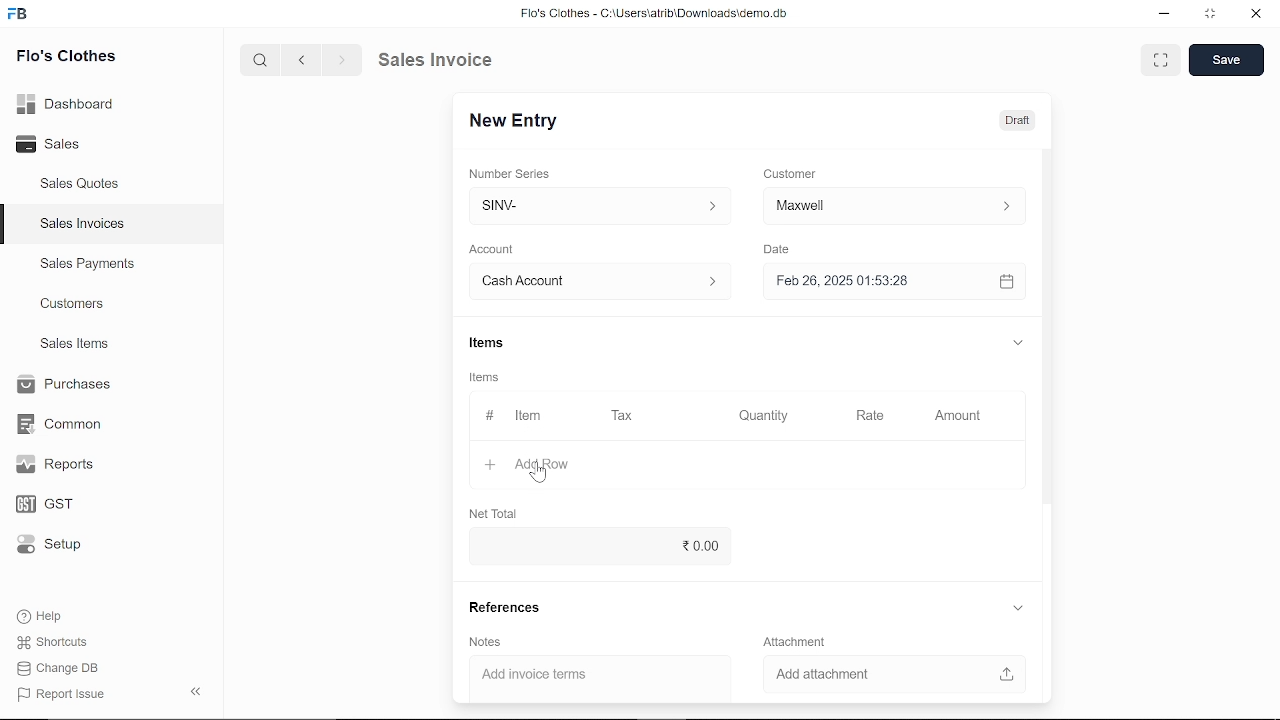 The width and height of the screenshot is (1280, 720). I want to click on Purchases, so click(62, 385).